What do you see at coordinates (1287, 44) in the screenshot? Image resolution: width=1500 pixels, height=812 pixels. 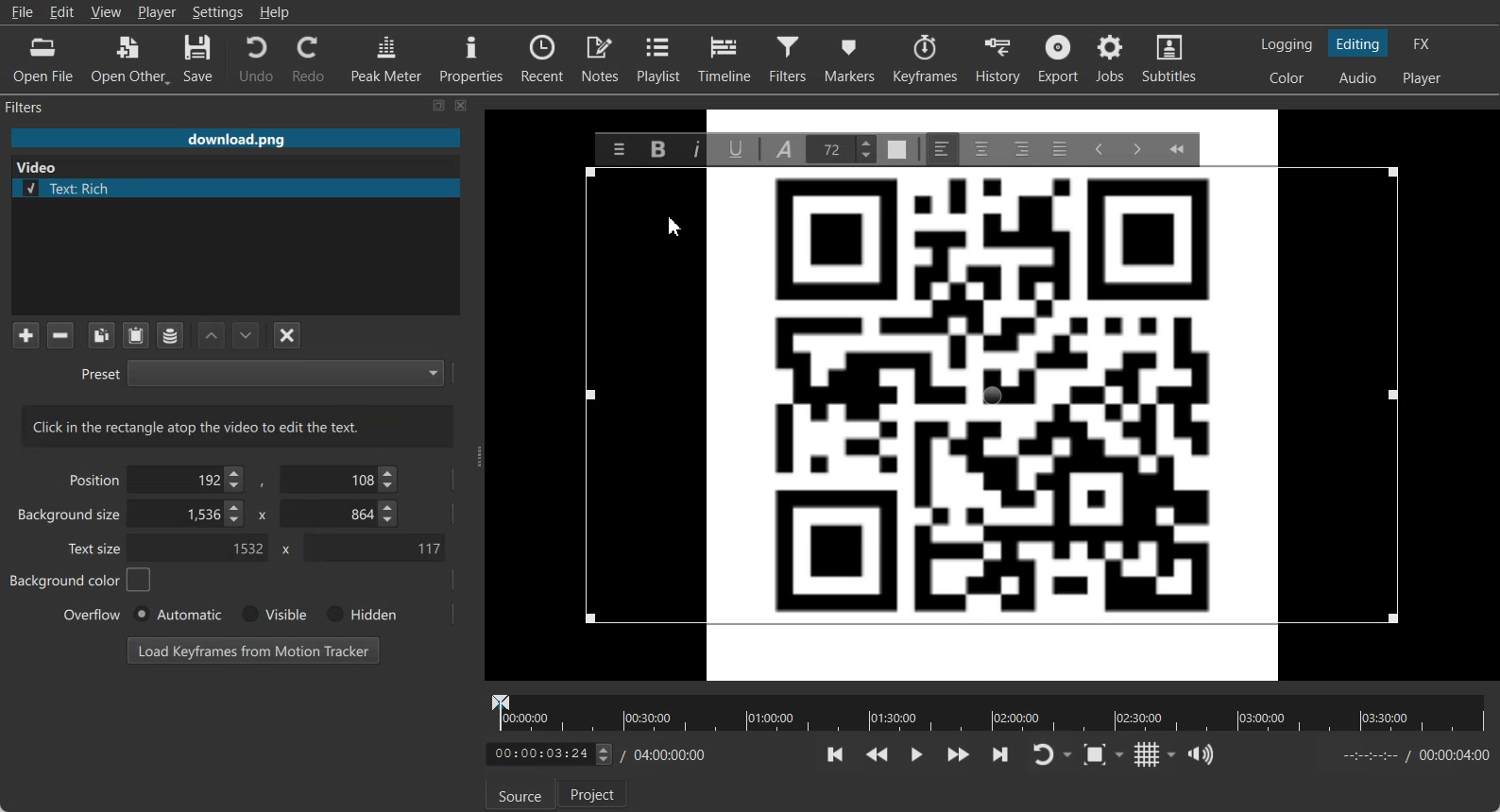 I see `Switching to the logging layout` at bounding box center [1287, 44].